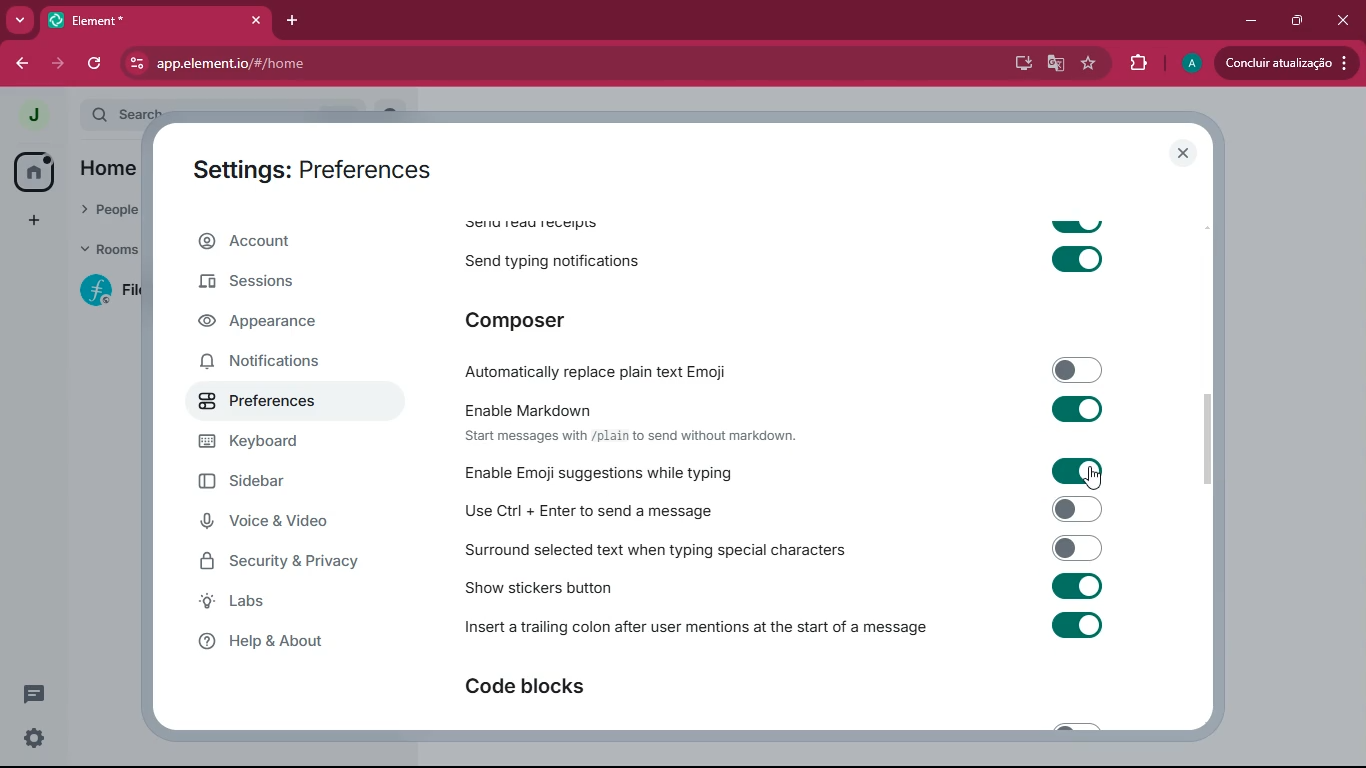  What do you see at coordinates (266, 602) in the screenshot?
I see `labs` at bounding box center [266, 602].